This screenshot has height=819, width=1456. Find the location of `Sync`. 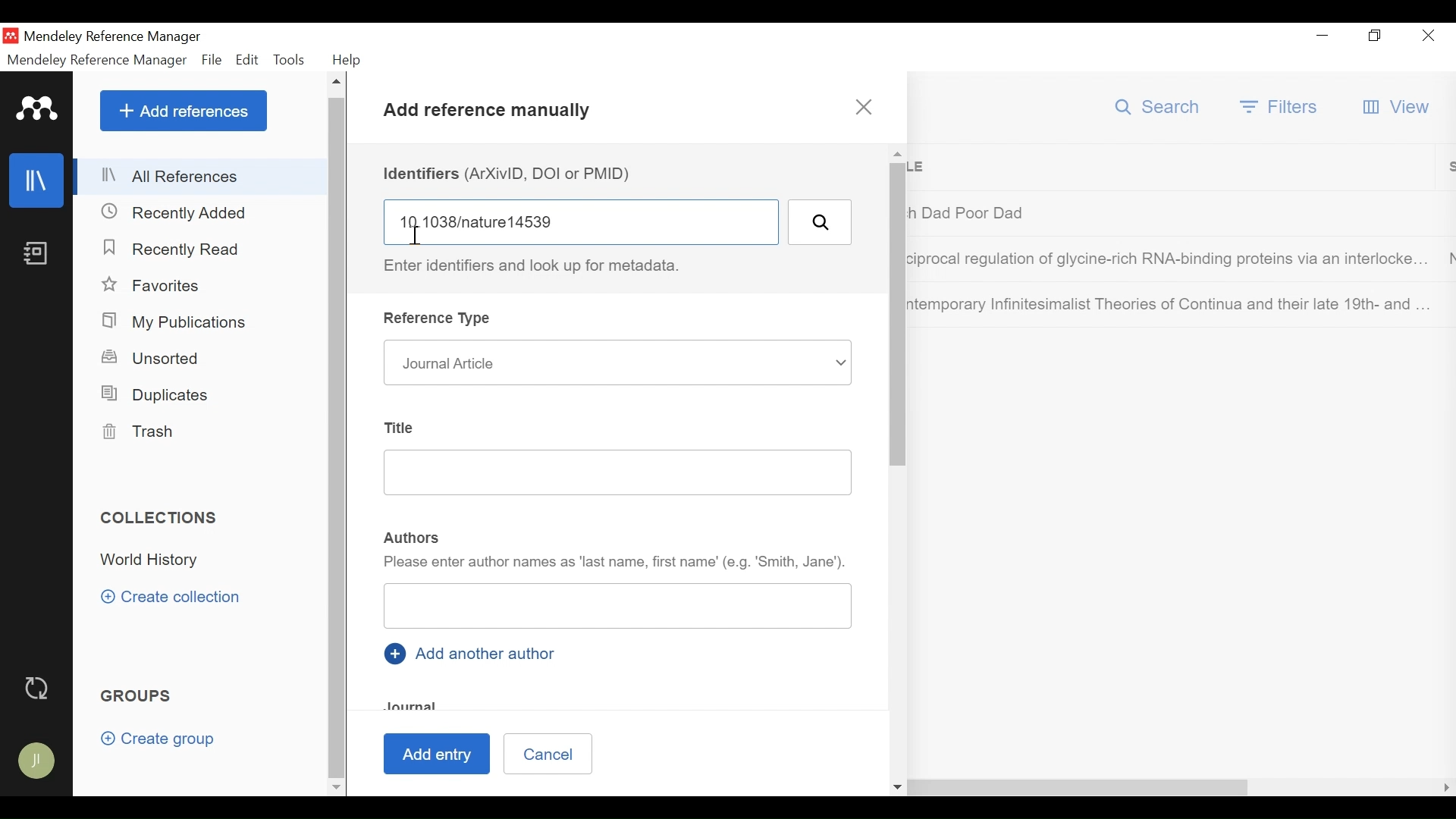

Sync is located at coordinates (39, 687).